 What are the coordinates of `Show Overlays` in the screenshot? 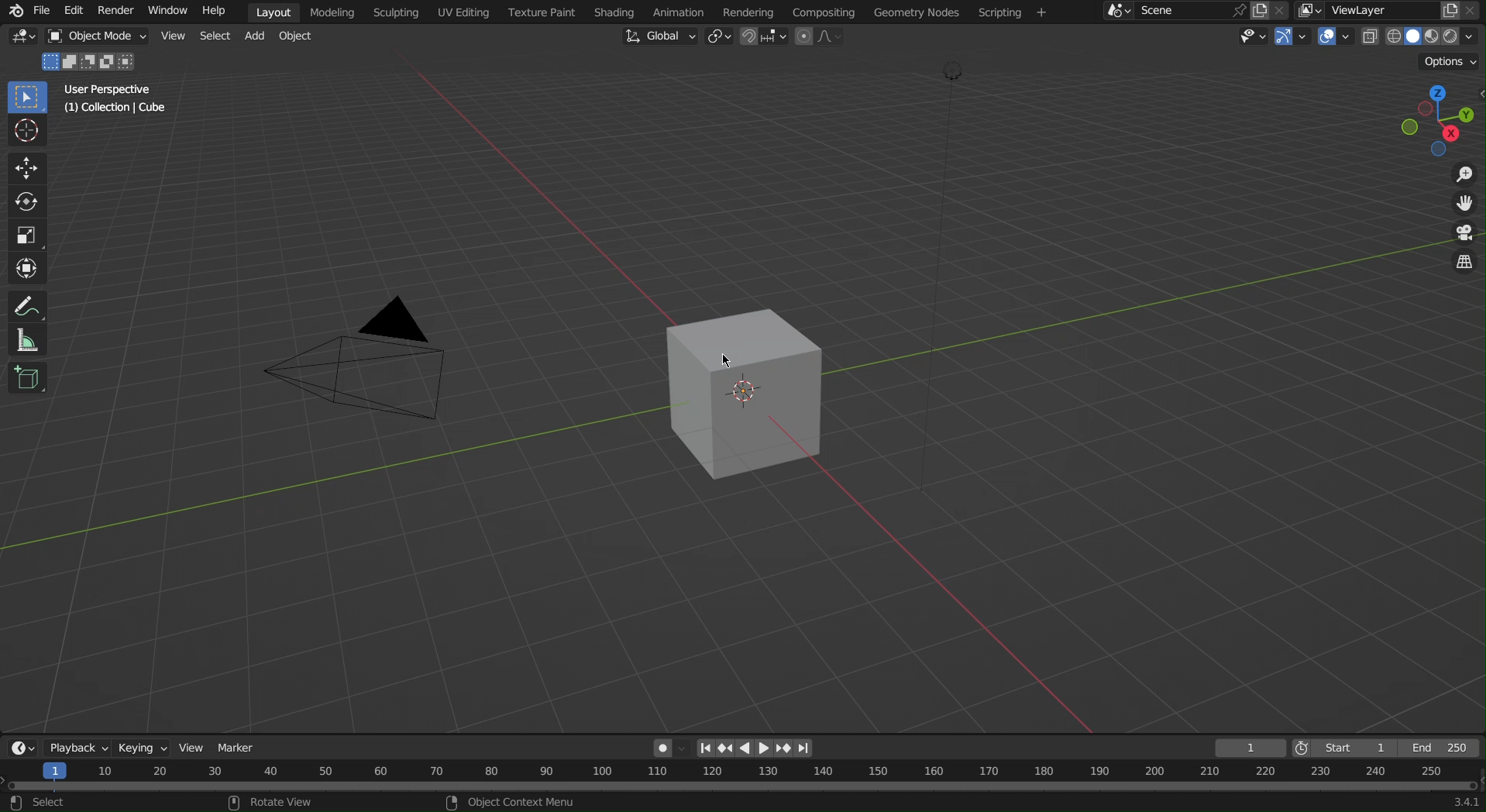 It's located at (1337, 37).